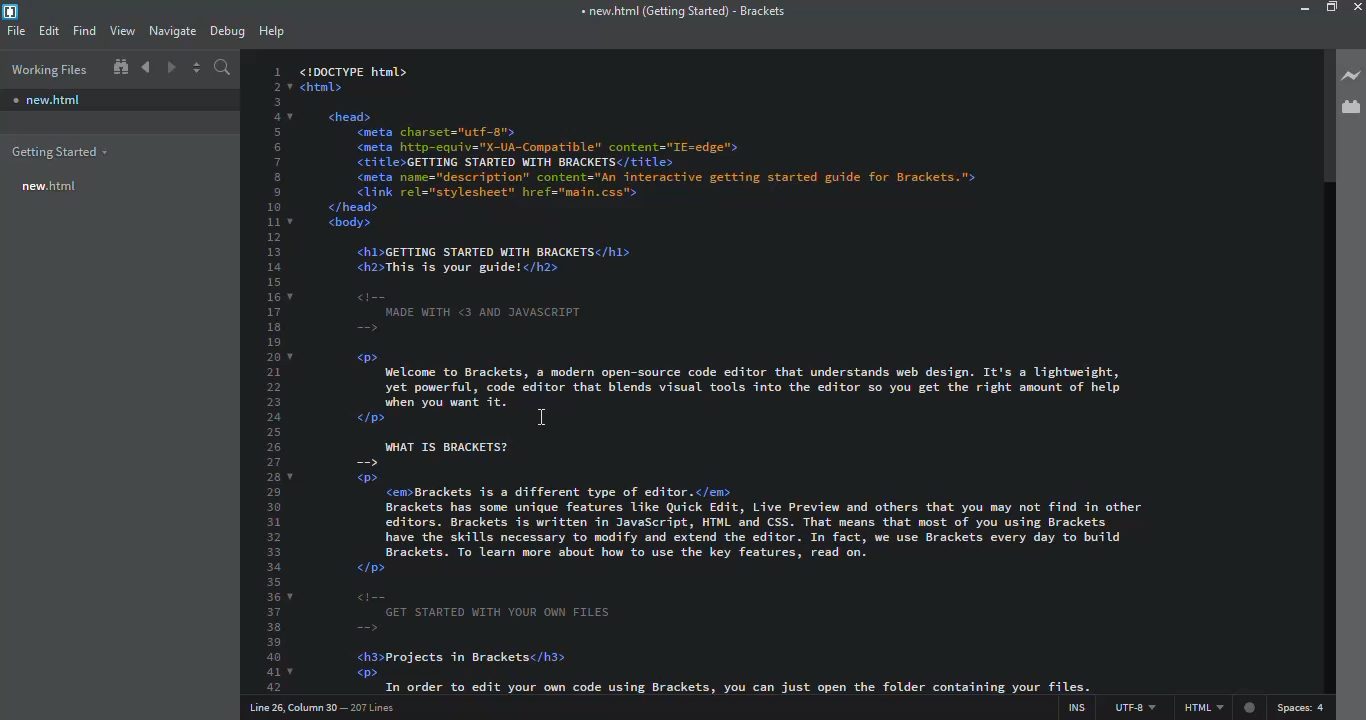 This screenshot has height=720, width=1366. Describe the element at coordinates (1355, 9) in the screenshot. I see `close` at that location.